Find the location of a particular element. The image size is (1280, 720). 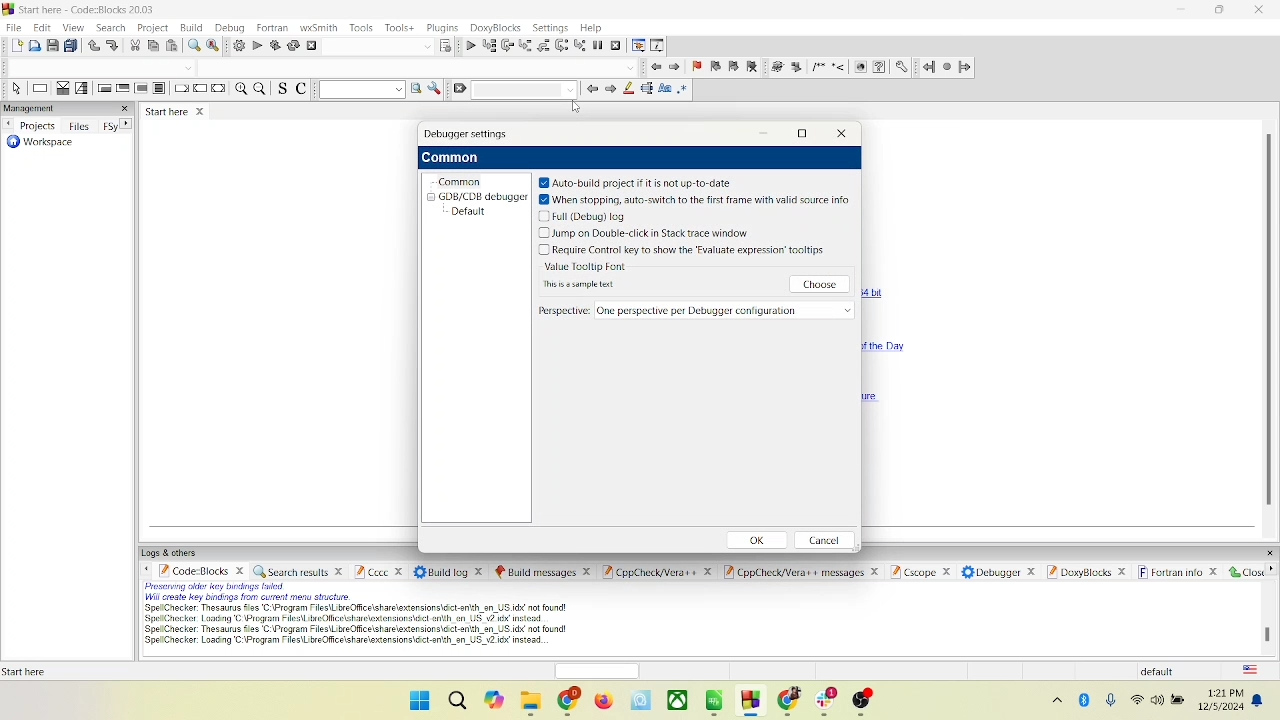

file is located at coordinates (16, 27).